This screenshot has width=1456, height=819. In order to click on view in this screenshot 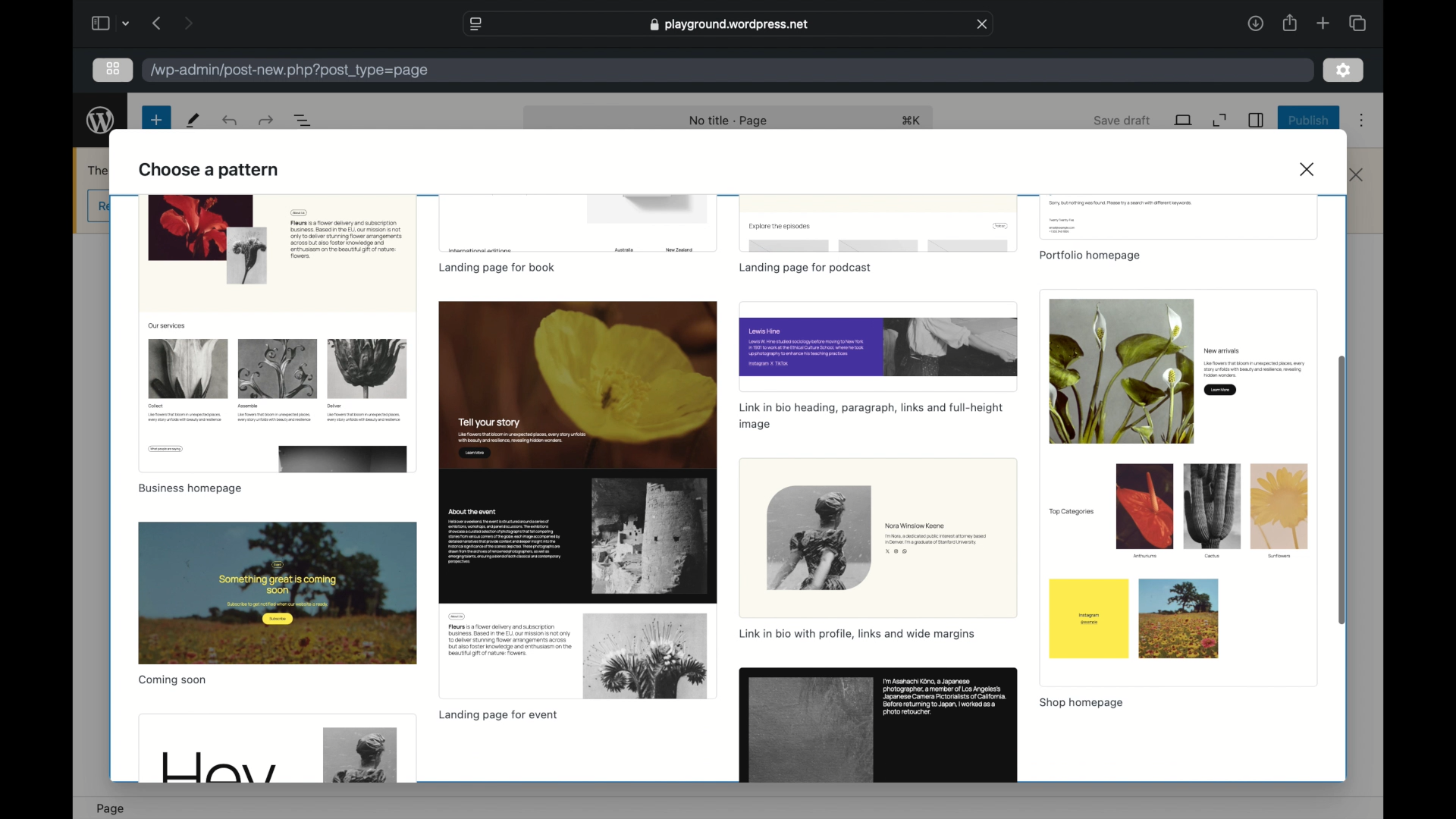, I will do `click(1185, 120)`.